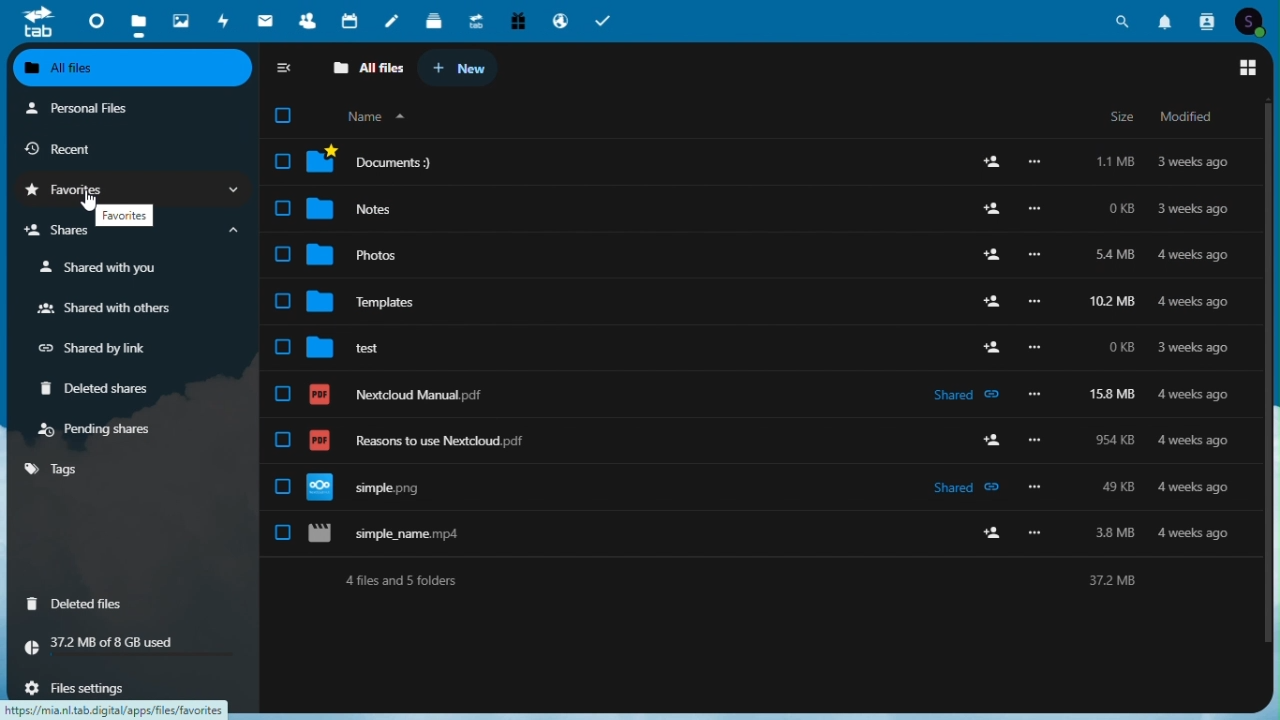 The image size is (1280, 720). I want to click on tags, so click(57, 468).